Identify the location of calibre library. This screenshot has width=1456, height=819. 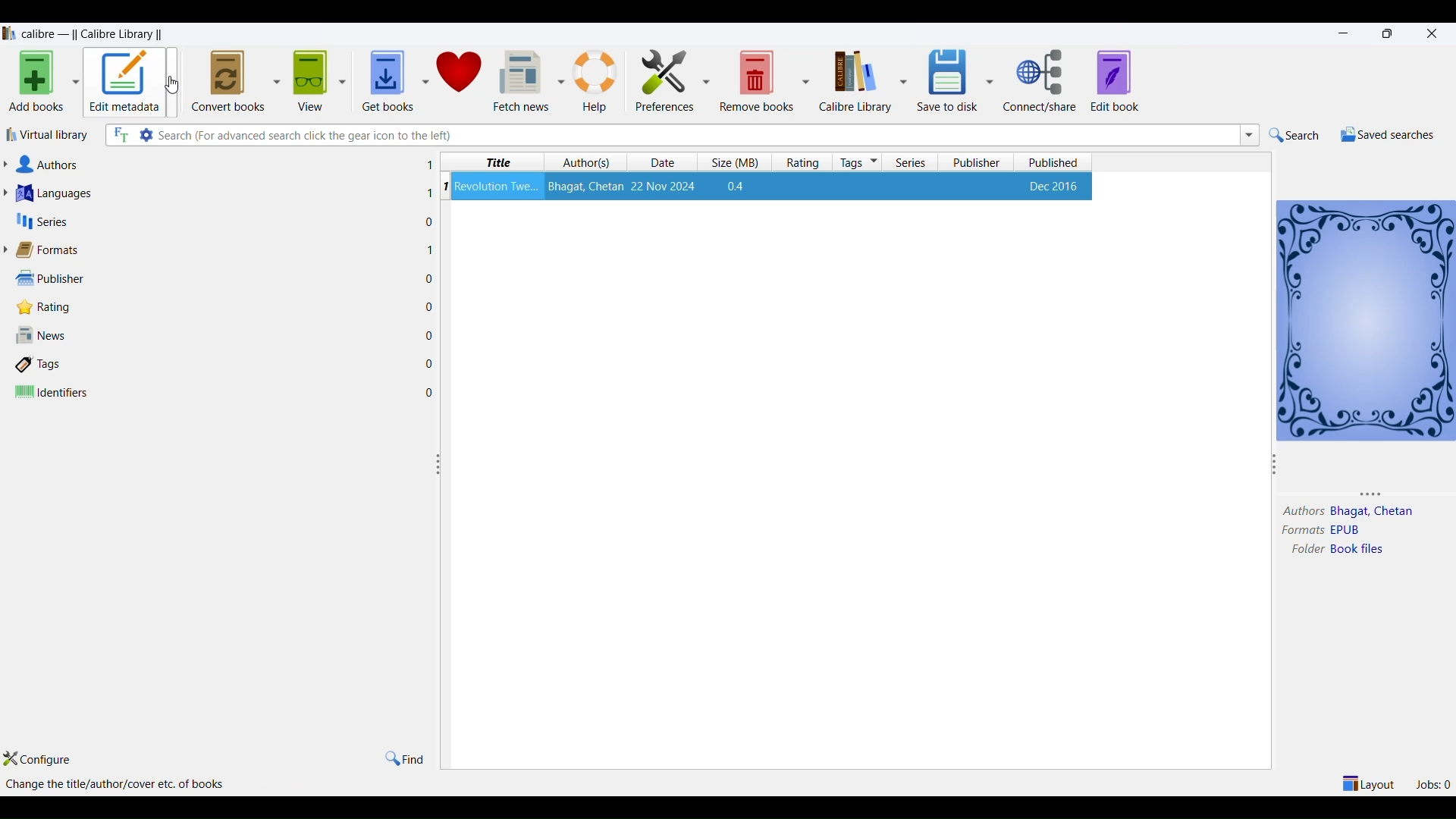
(855, 80).